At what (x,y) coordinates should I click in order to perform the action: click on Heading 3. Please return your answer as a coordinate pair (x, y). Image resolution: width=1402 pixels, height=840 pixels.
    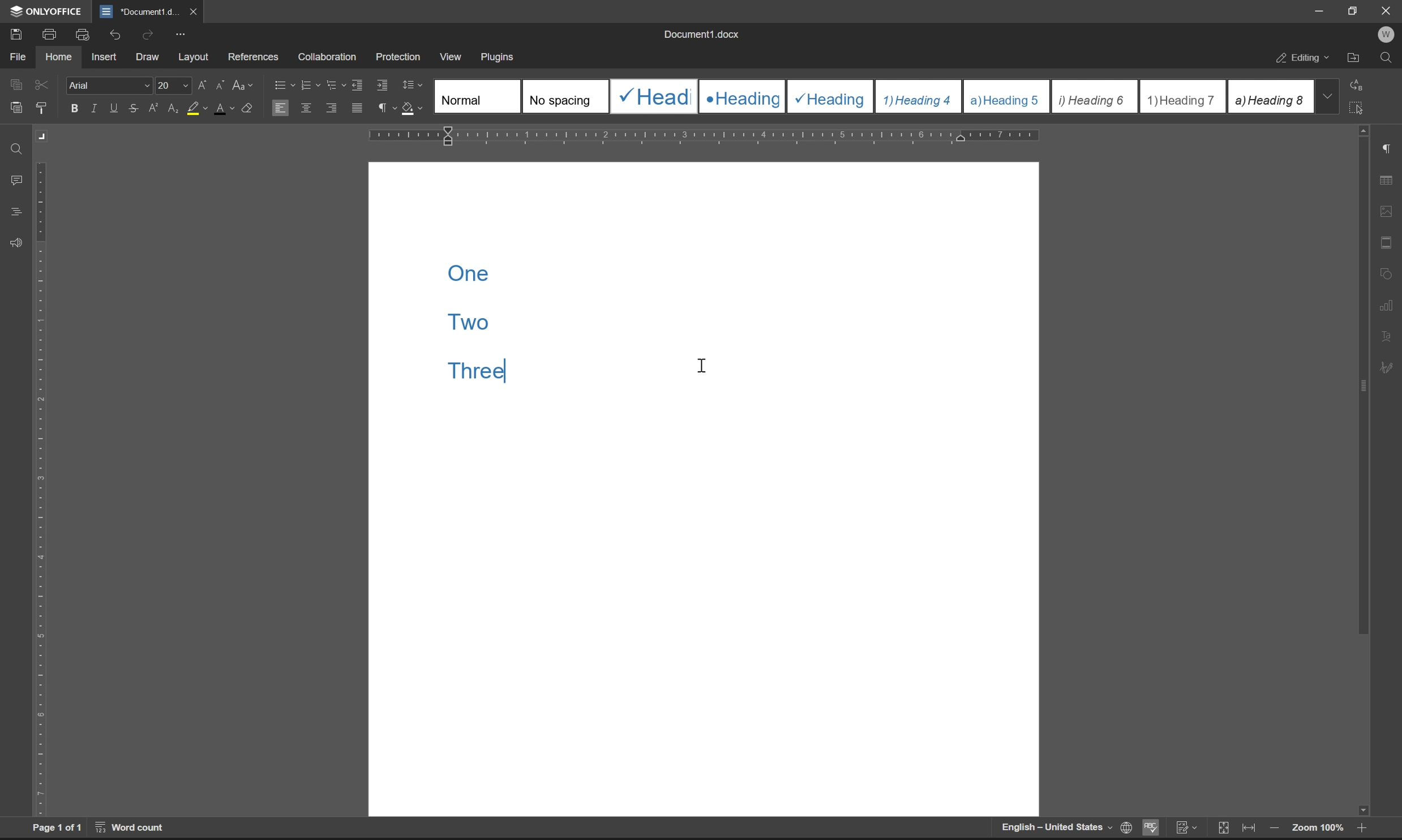
    Looking at the image, I should click on (831, 97).